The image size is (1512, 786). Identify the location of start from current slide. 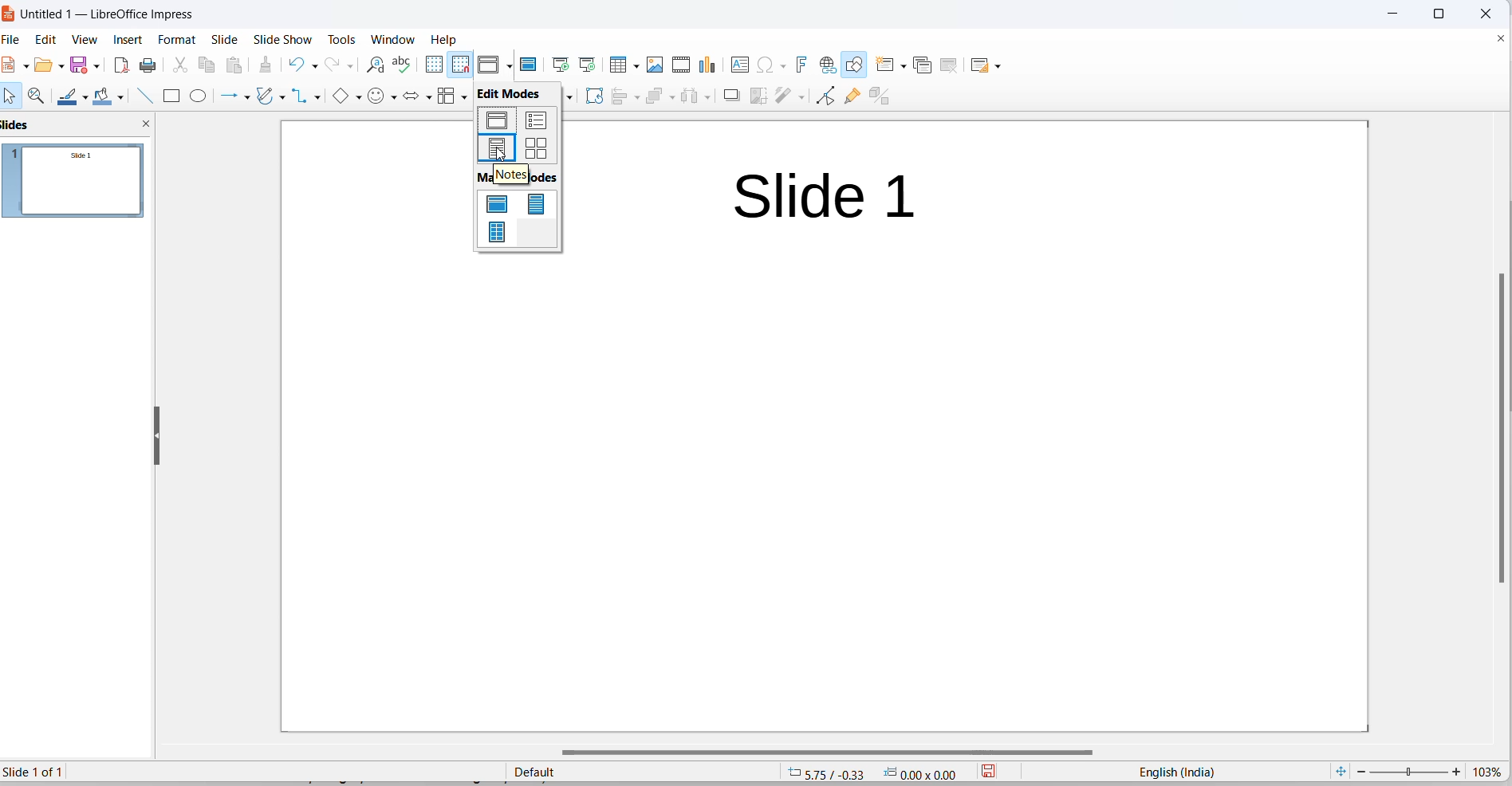
(586, 64).